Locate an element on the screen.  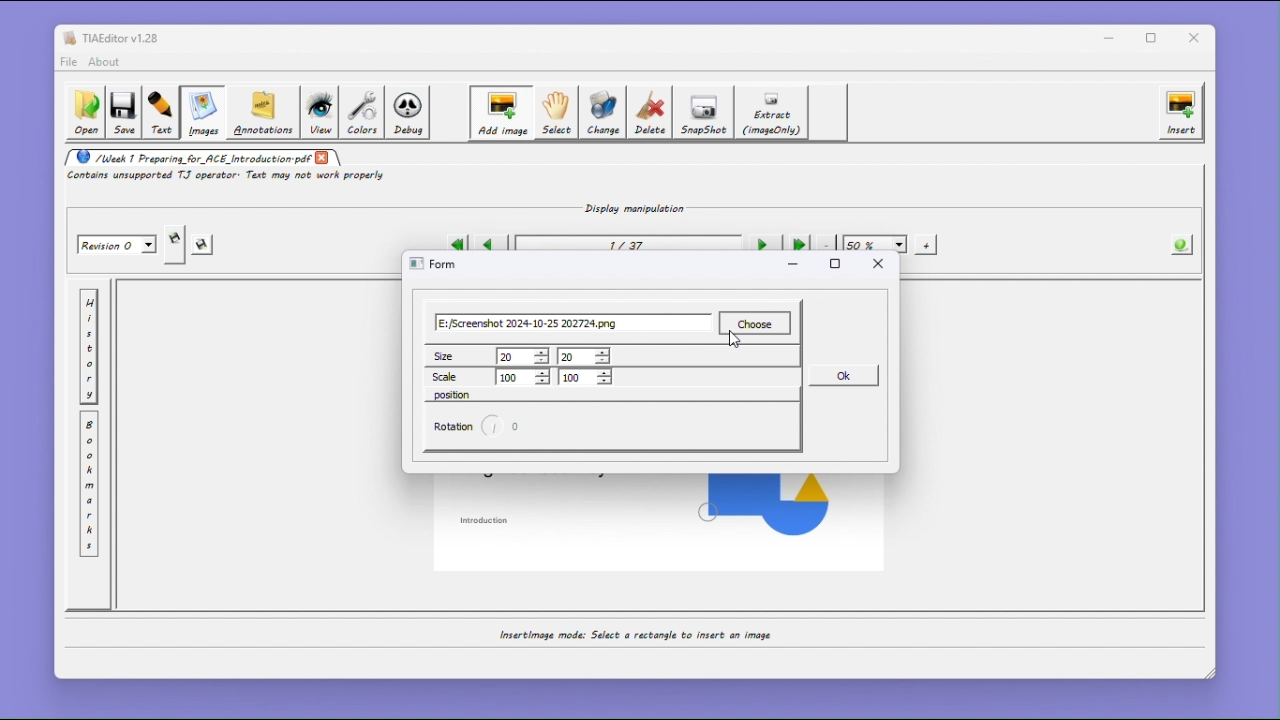
position is located at coordinates (453, 395).